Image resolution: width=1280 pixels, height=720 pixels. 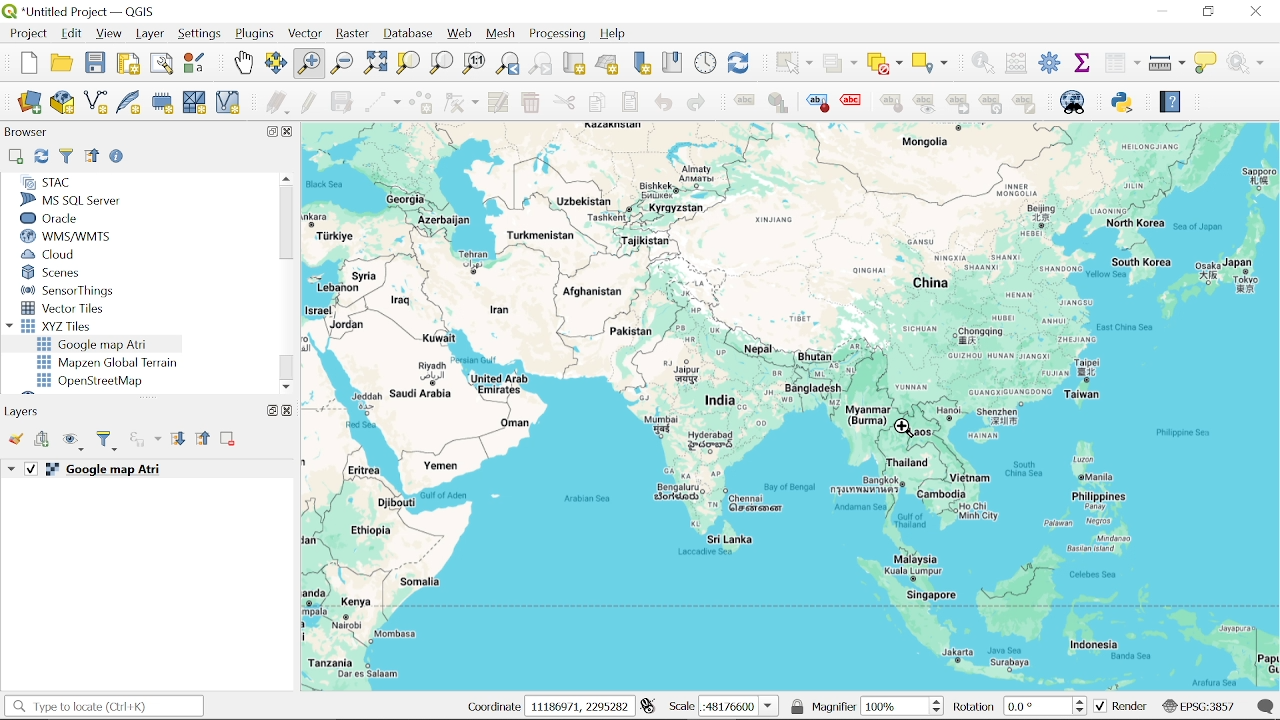 I want to click on Current window, so click(x=86, y=12).